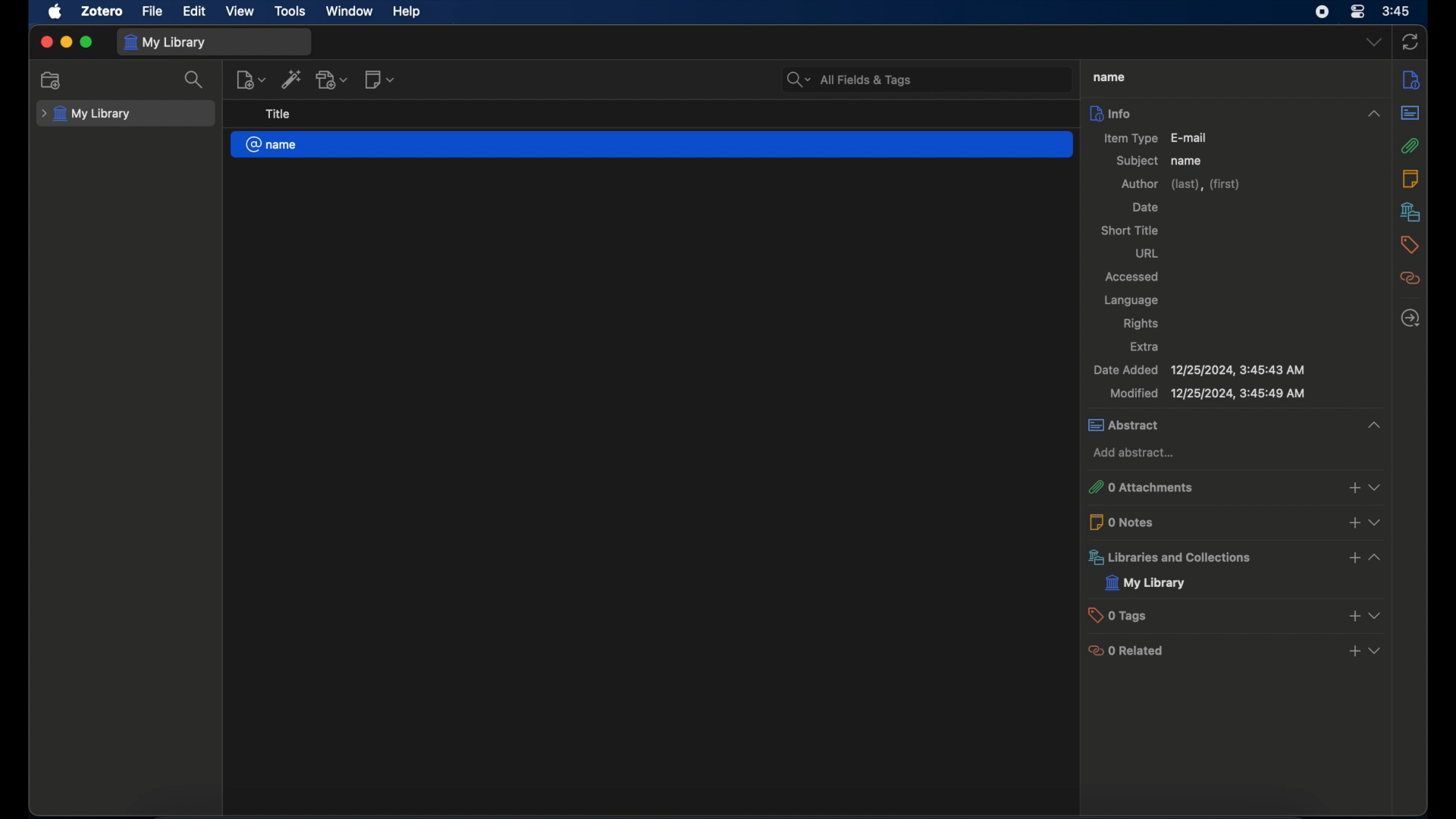 The image size is (1456, 819). I want to click on dropdown, so click(1373, 42).